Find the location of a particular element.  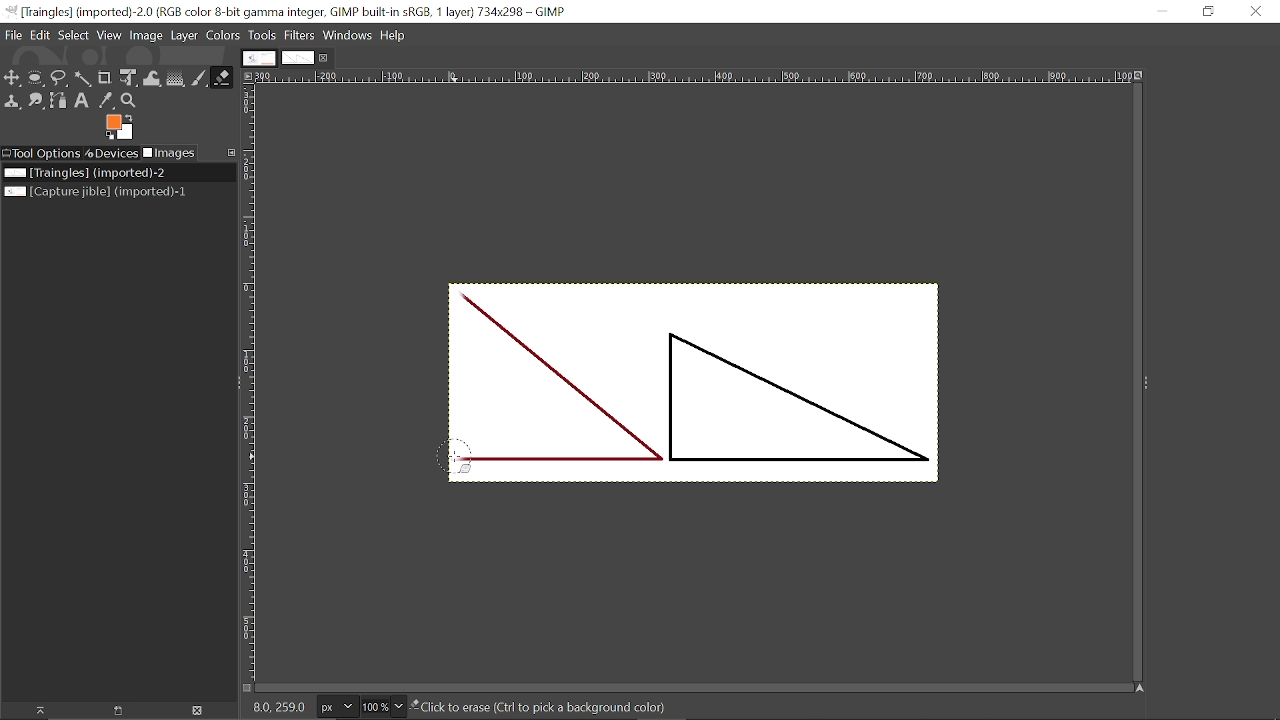

Current window is located at coordinates (294, 11).